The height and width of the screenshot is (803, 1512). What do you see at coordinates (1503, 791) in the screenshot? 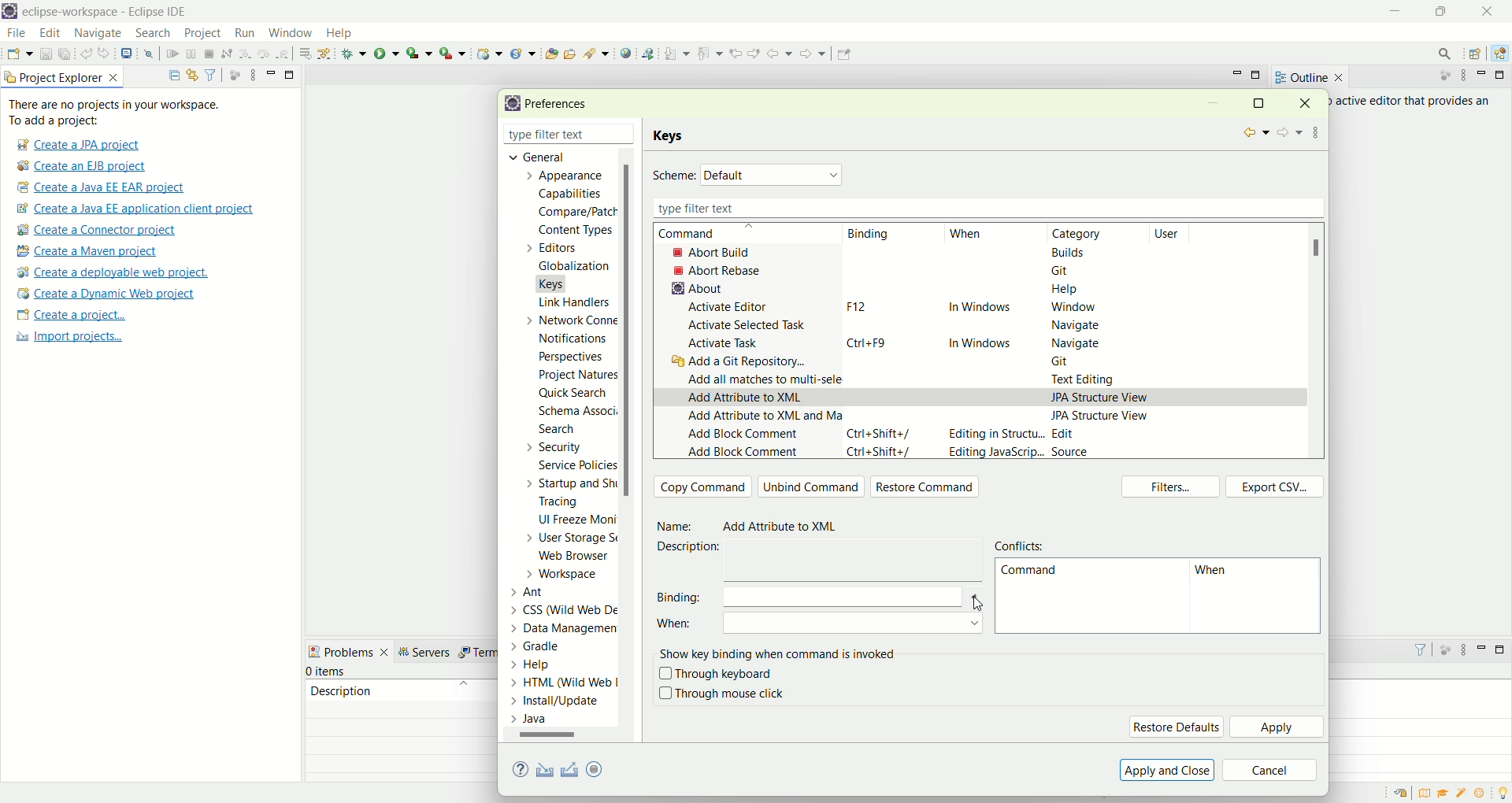
I see `tip of the day` at bounding box center [1503, 791].